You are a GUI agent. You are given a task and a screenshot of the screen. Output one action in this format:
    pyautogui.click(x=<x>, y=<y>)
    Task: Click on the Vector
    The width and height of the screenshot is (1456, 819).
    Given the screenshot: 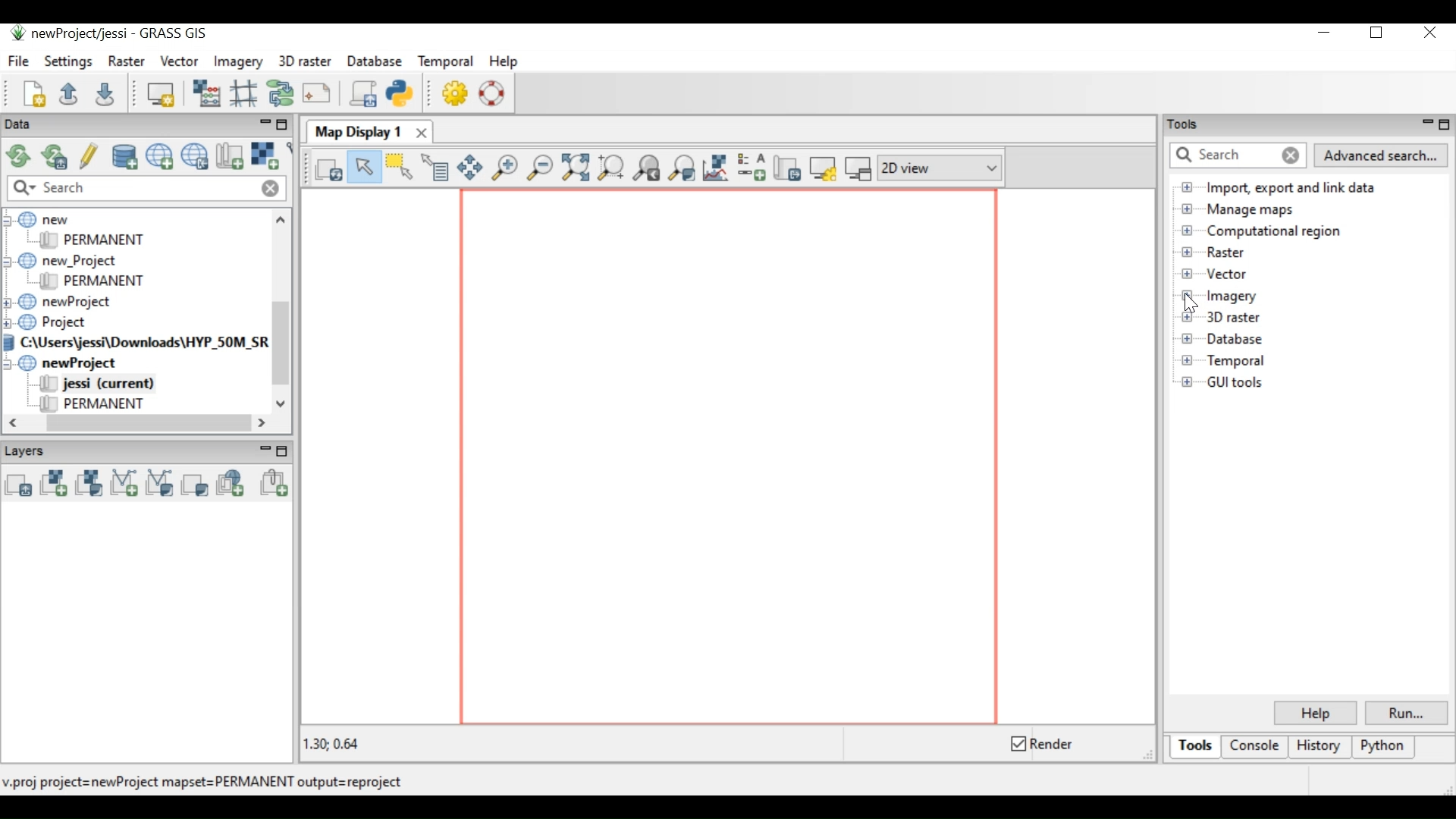 What is the action you would take?
    pyautogui.click(x=179, y=61)
    